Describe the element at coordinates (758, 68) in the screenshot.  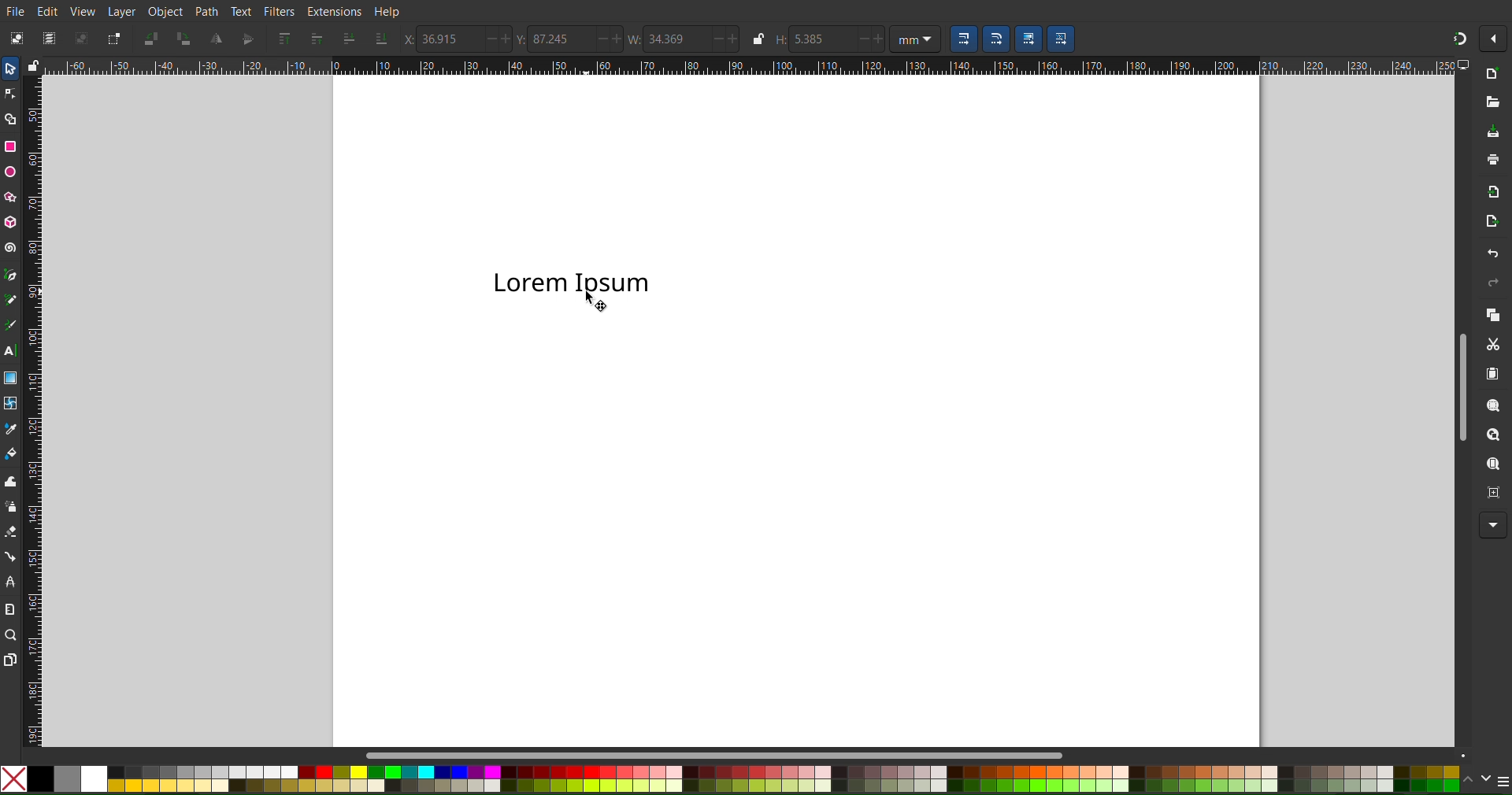
I see `Horizontal Ruler` at that location.